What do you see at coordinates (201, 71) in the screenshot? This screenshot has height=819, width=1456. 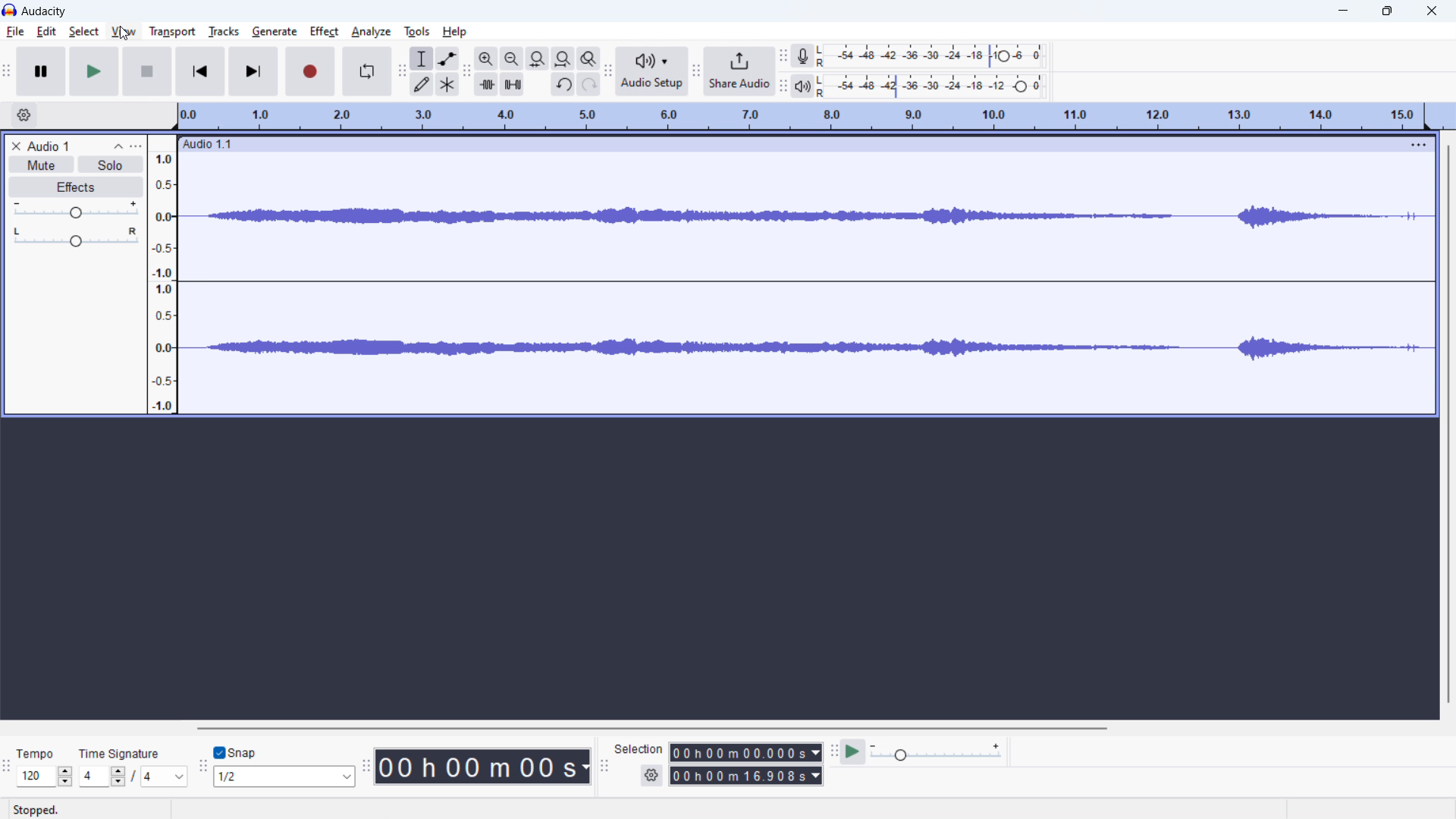 I see `skip to start` at bounding box center [201, 71].